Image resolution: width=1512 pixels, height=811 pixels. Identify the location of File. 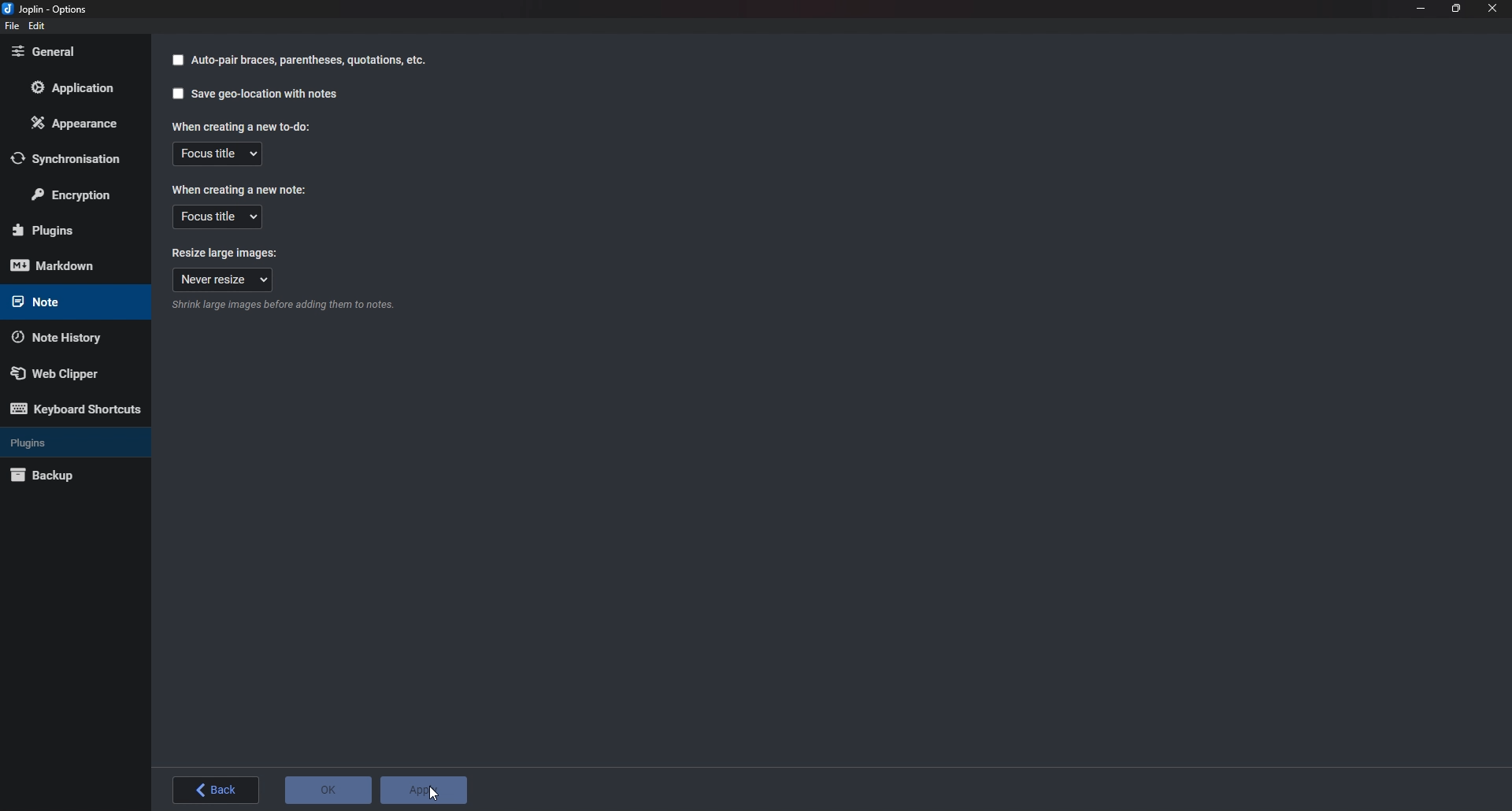
(12, 27).